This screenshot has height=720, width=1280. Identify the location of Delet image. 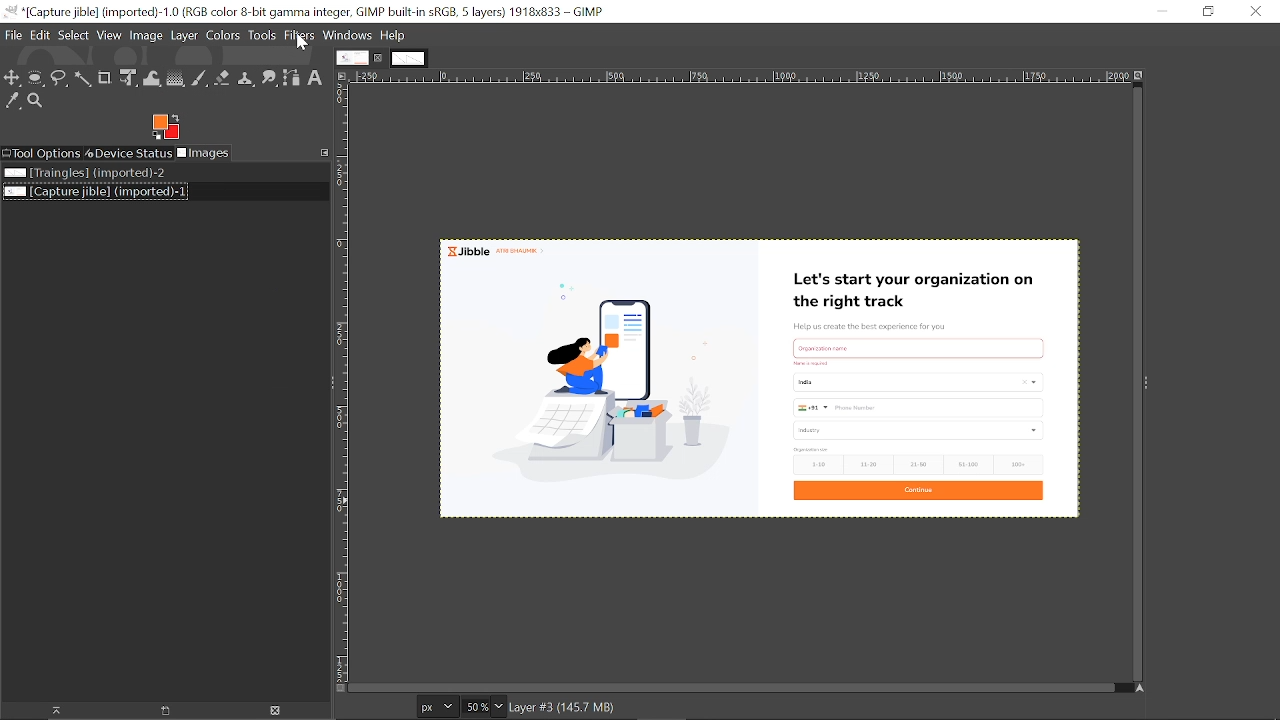
(281, 710).